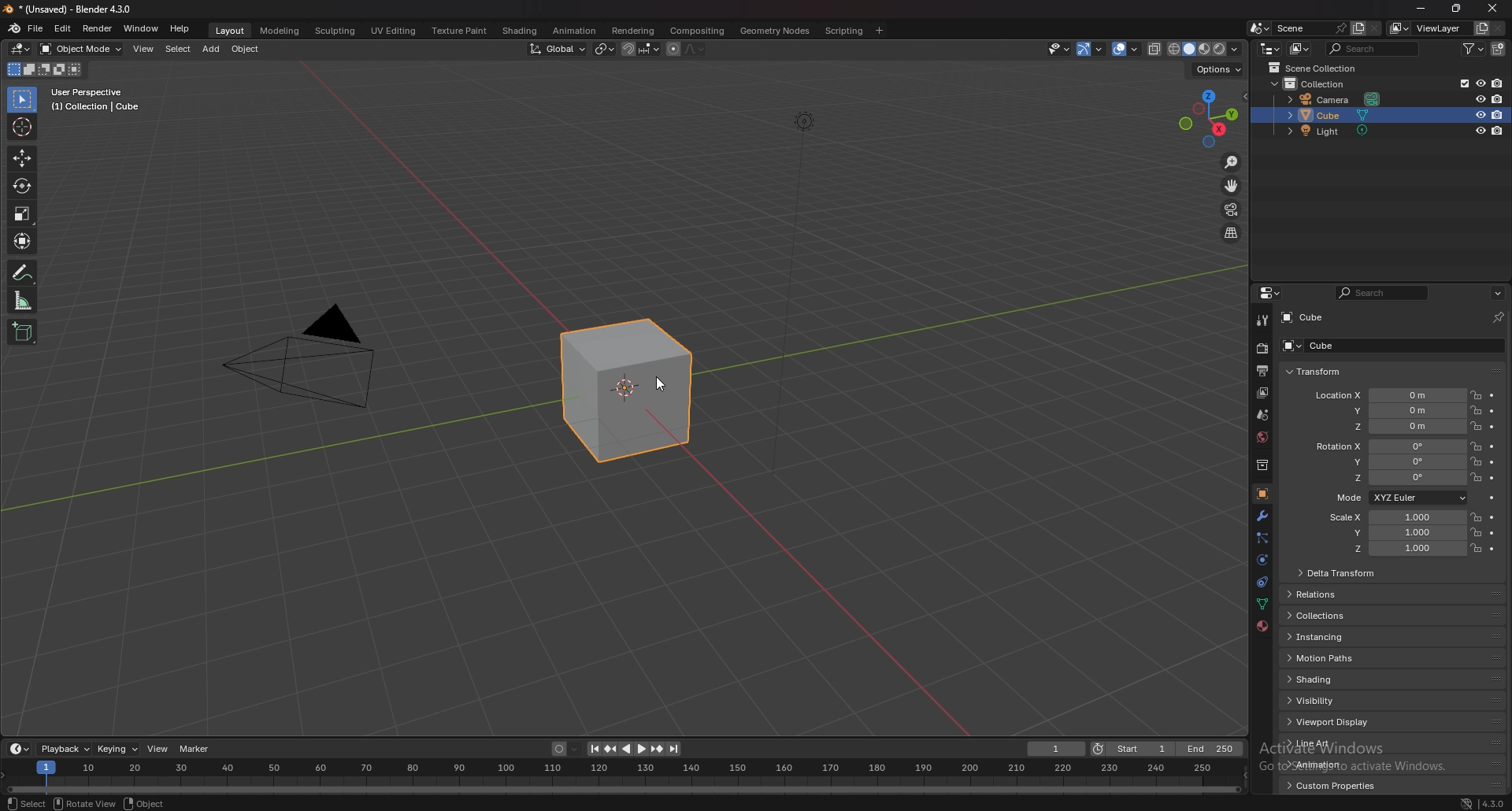 The height and width of the screenshot is (811, 1512). What do you see at coordinates (1300, 49) in the screenshot?
I see `display mode` at bounding box center [1300, 49].